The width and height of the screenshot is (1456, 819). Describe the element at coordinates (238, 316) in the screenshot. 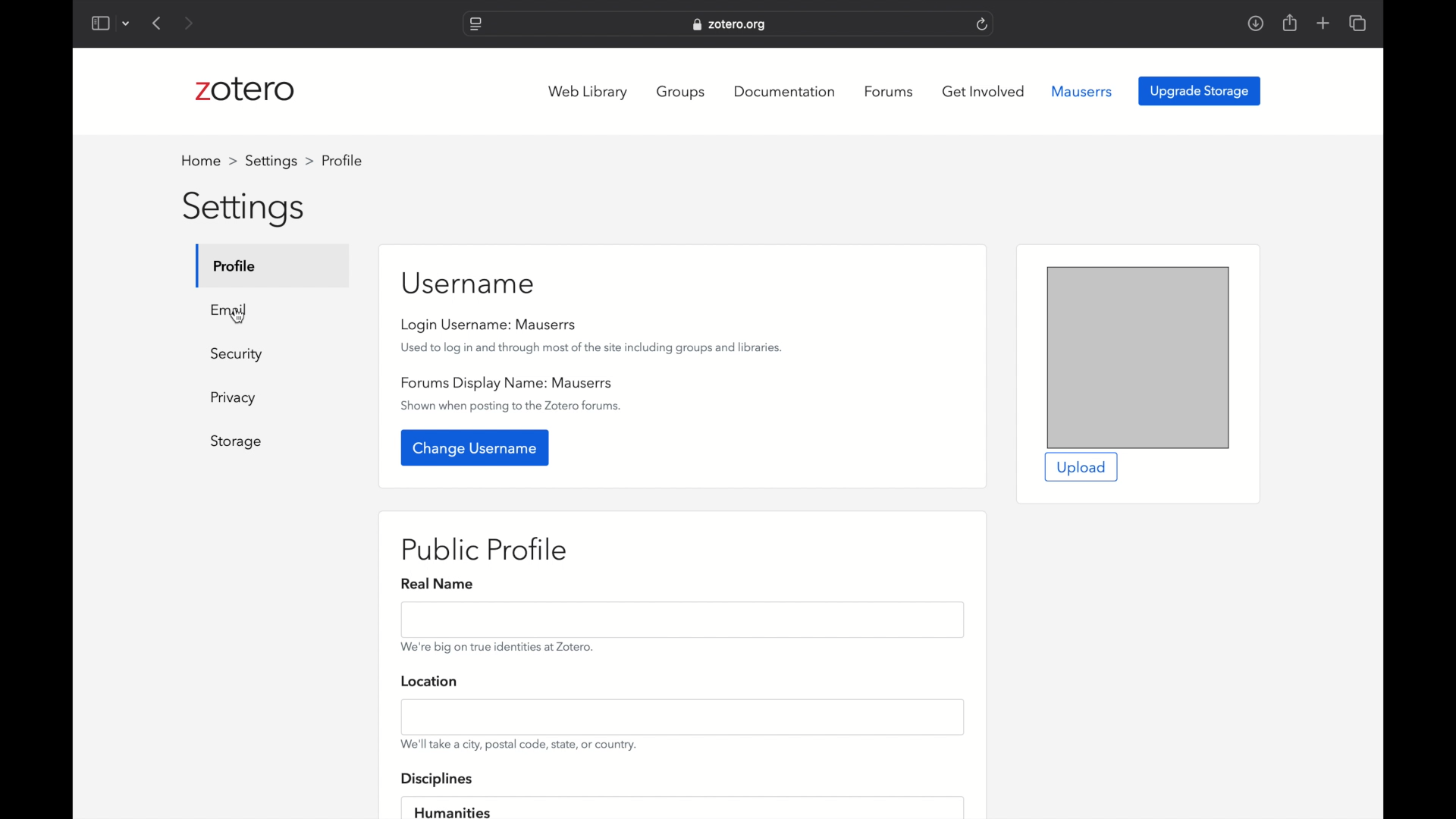

I see `cursor` at that location.